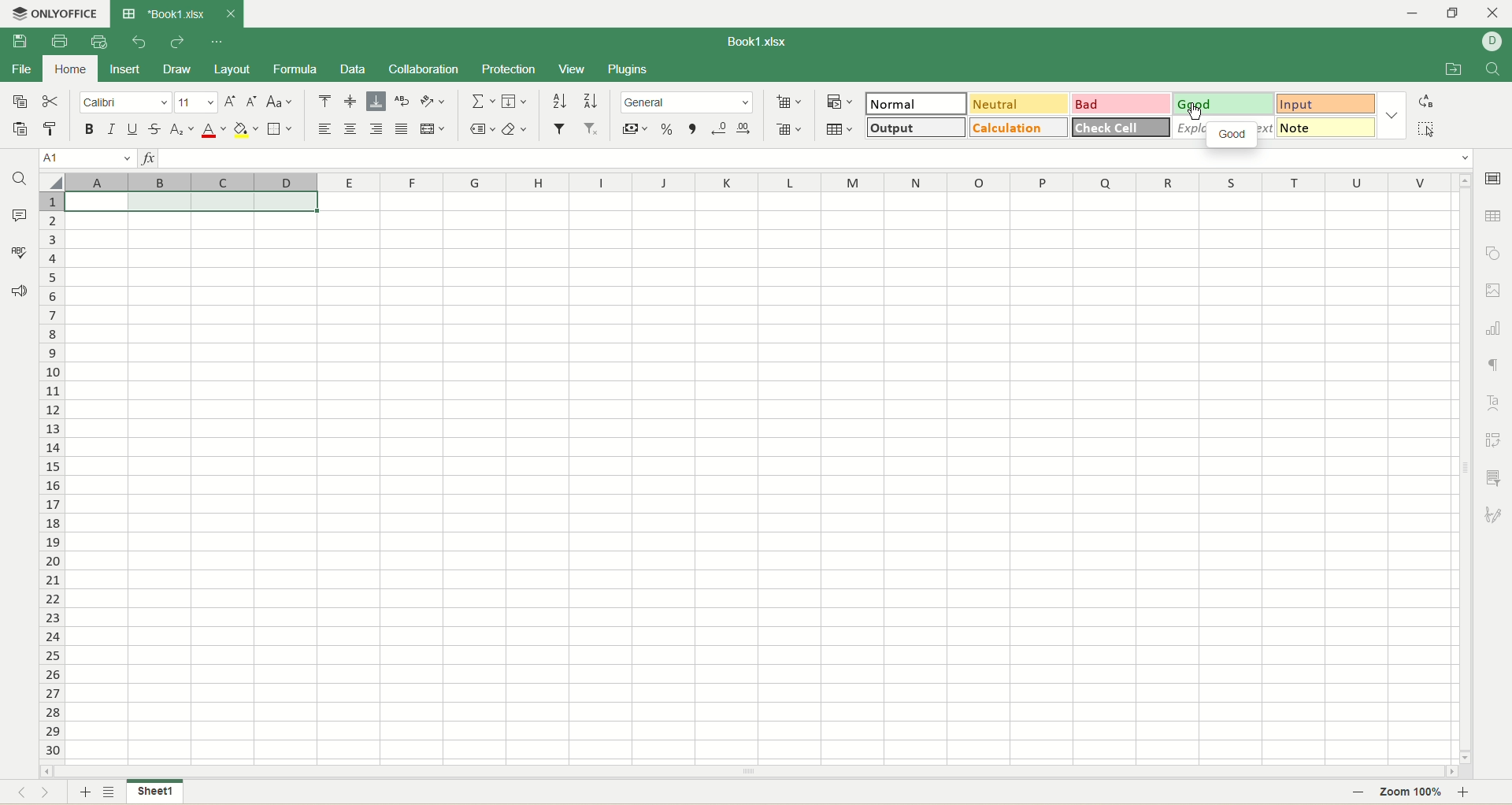  I want to click on find, so click(1494, 68).